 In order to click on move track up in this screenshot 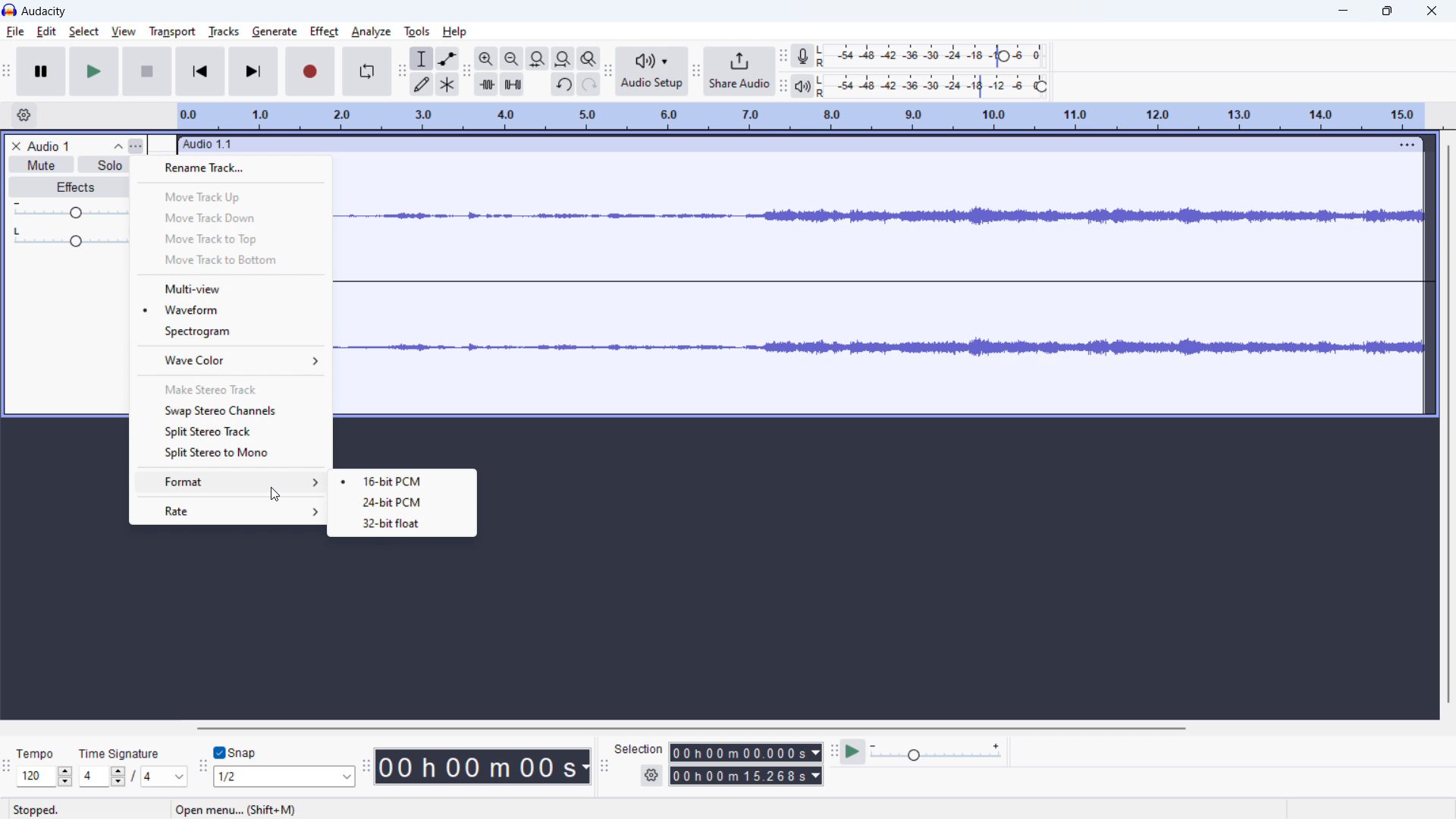, I will do `click(231, 196)`.